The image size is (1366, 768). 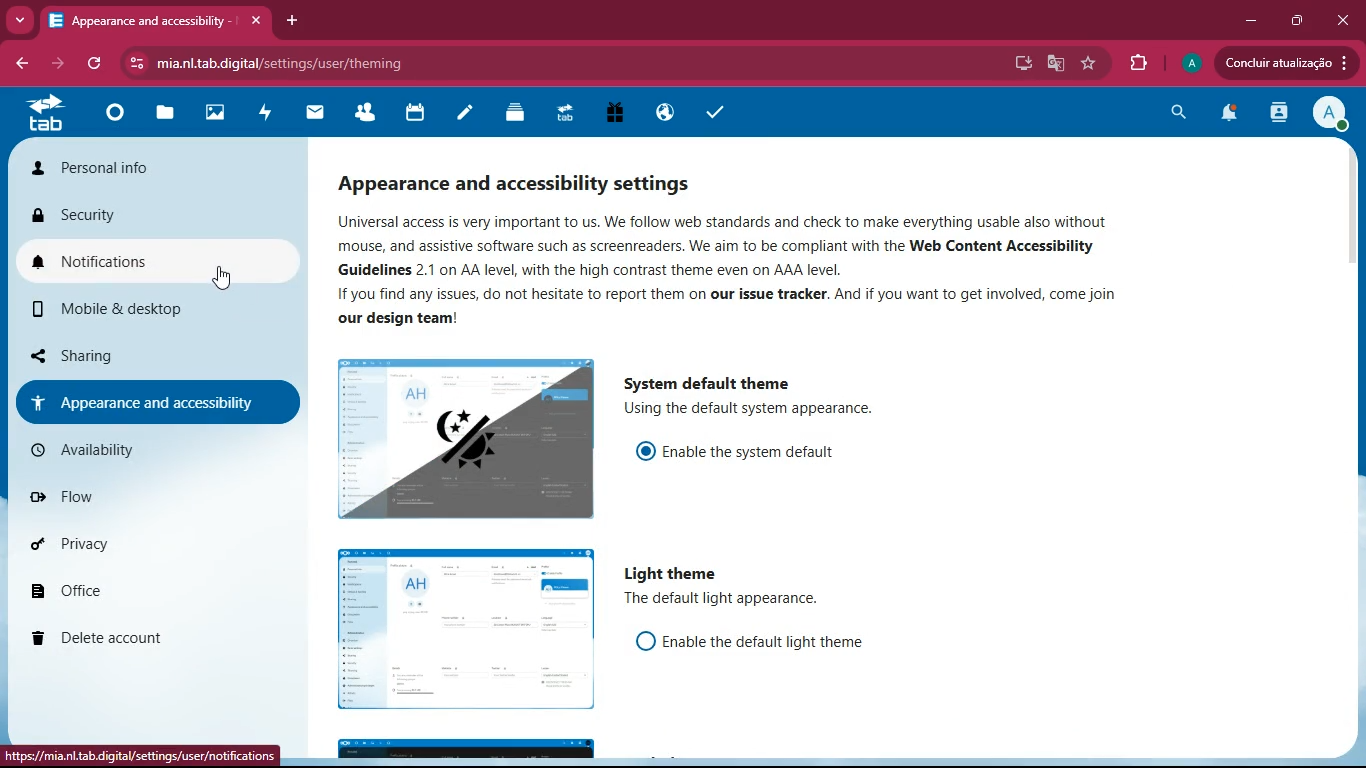 I want to click on Profile, so click(x=1192, y=61).